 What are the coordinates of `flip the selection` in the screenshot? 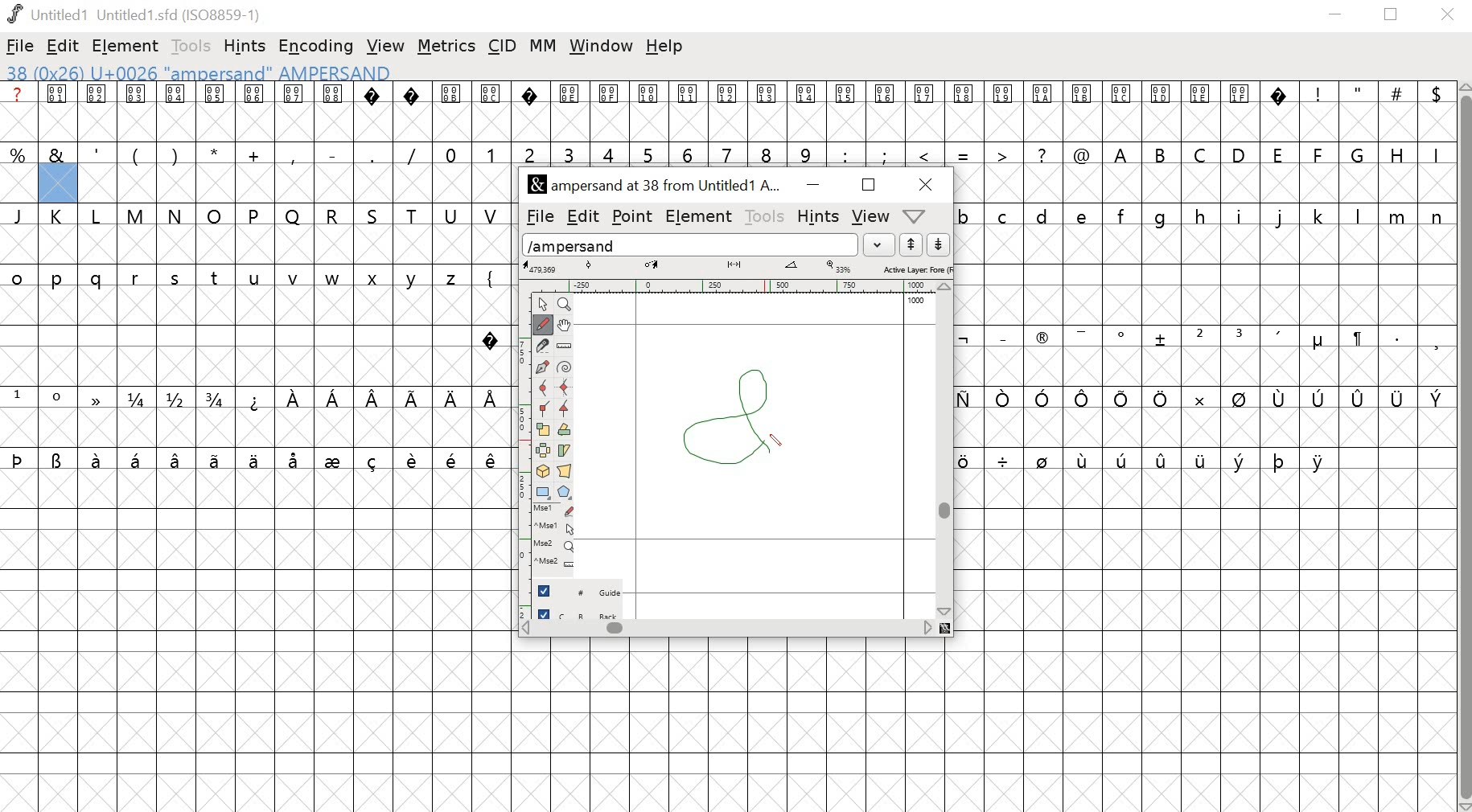 It's located at (545, 451).